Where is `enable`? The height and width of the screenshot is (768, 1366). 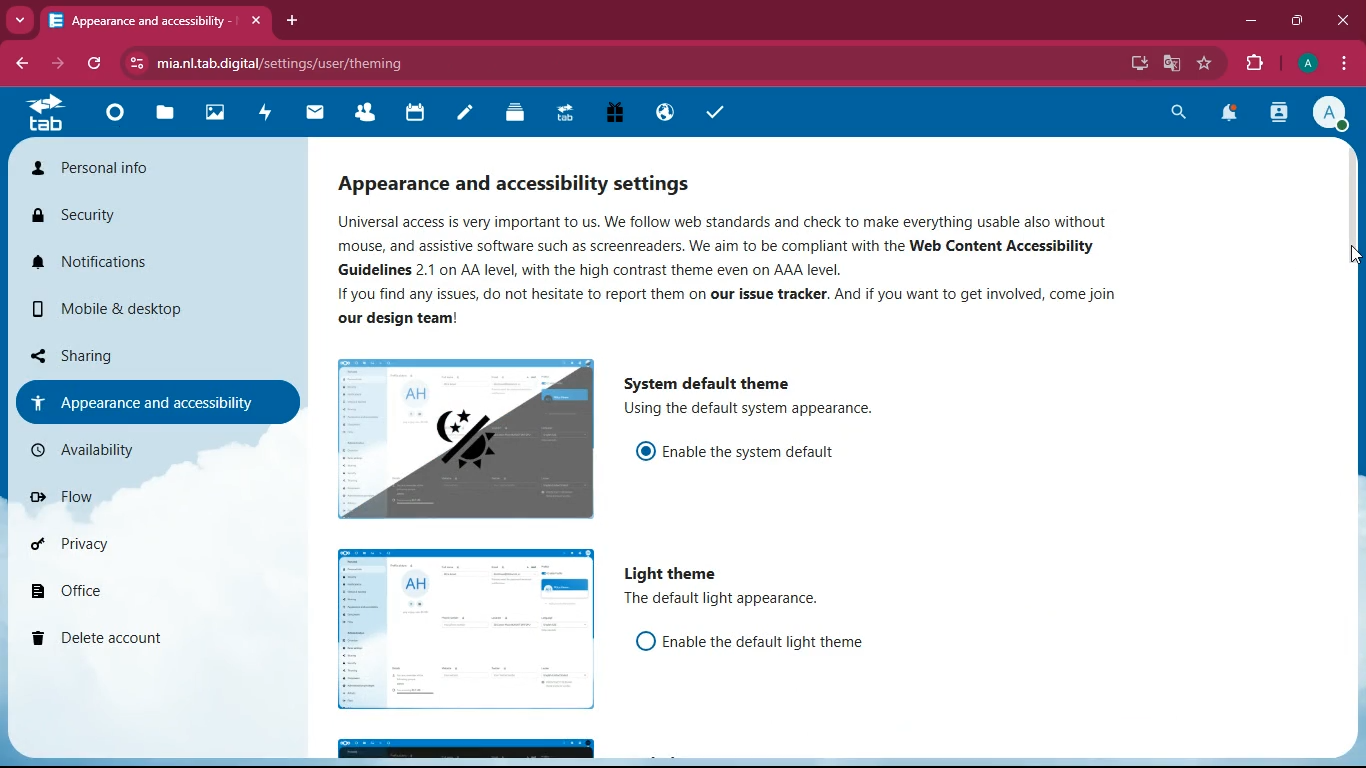 enable is located at coordinates (755, 451).